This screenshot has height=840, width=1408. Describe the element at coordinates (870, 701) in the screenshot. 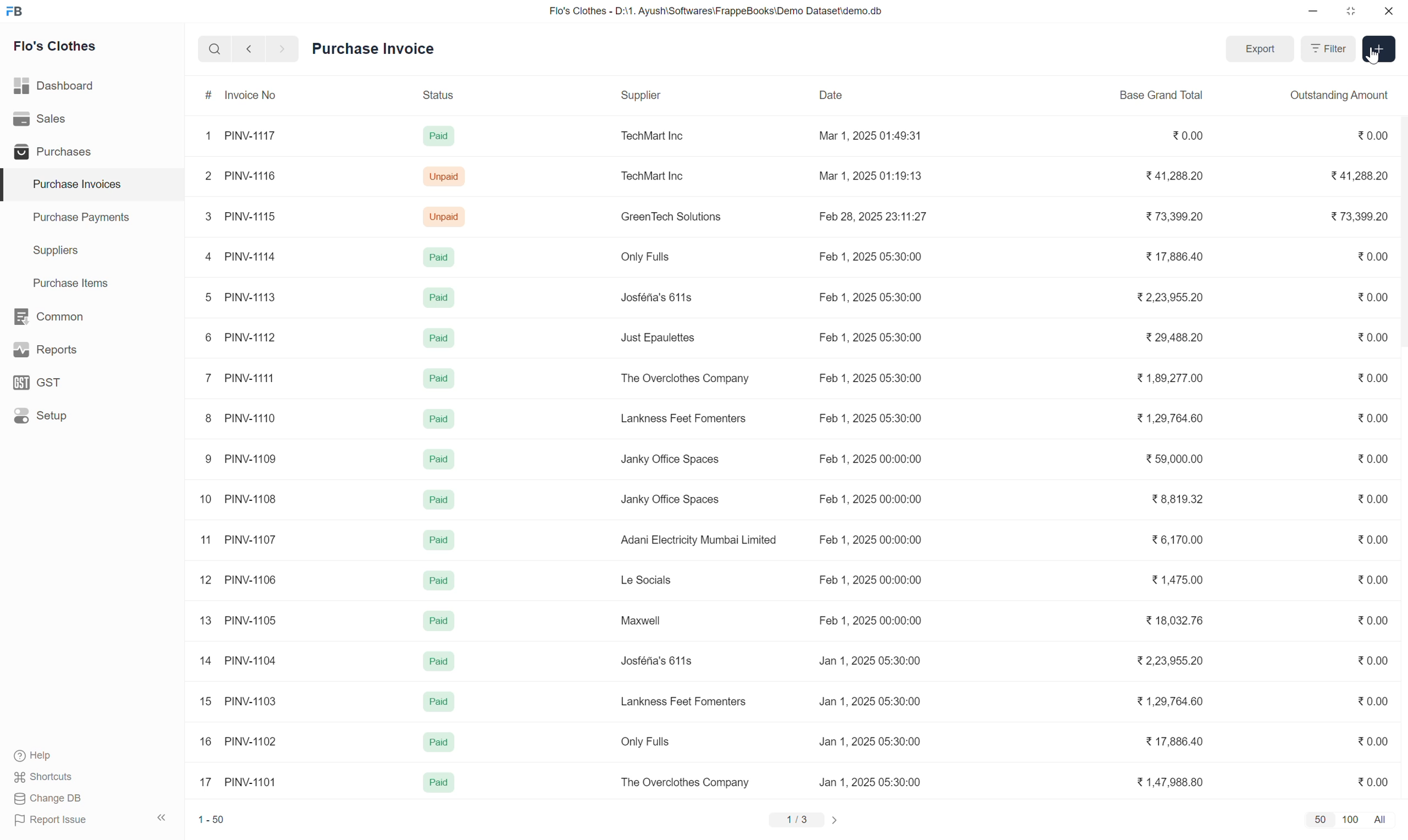

I see `Jan 1, 2025 05:30:00` at that location.